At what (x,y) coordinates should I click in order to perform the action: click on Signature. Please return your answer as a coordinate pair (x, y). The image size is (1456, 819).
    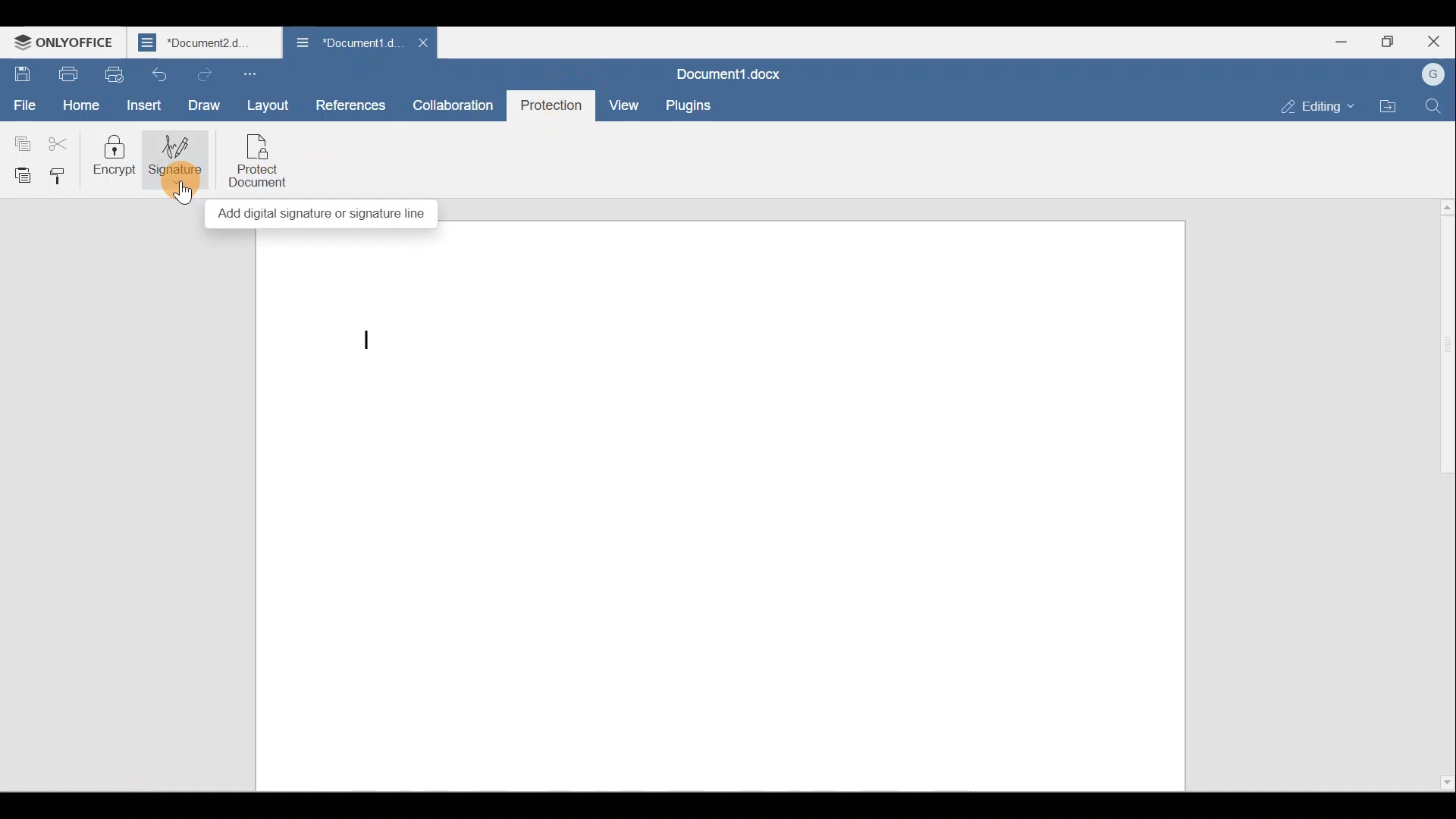
    Looking at the image, I should click on (182, 162).